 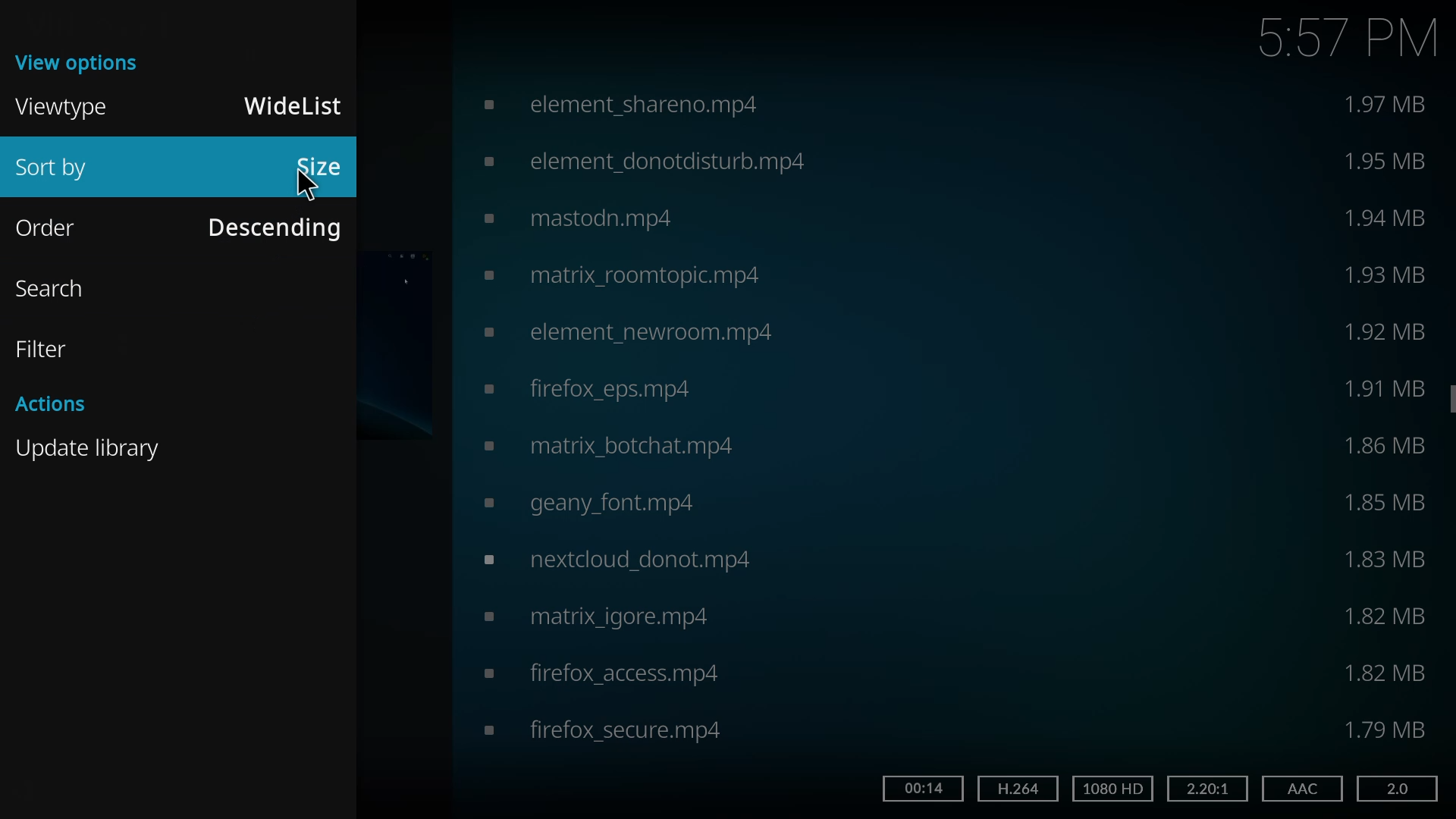 I want to click on size, so click(x=322, y=167).